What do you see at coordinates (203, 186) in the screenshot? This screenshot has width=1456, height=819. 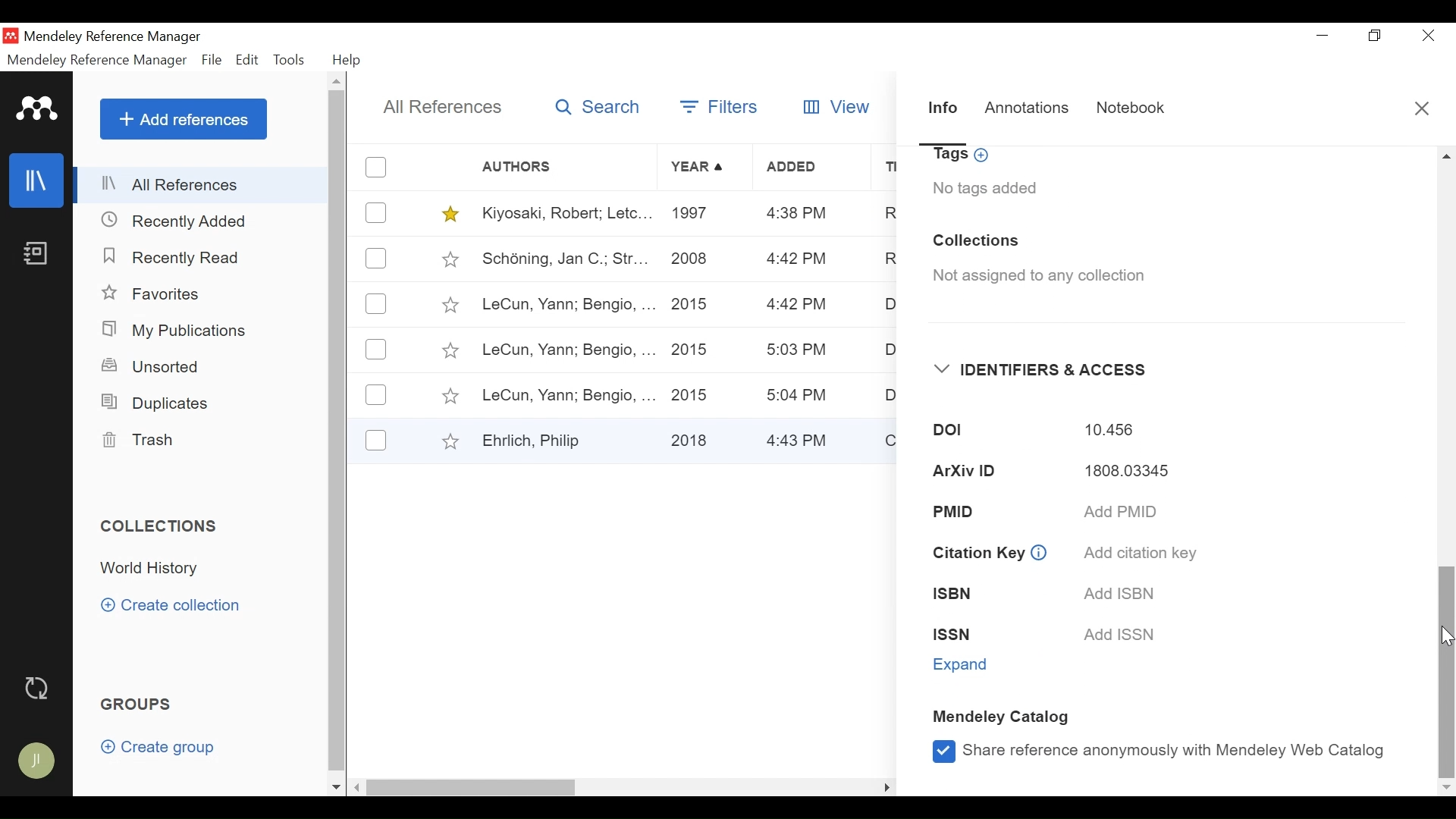 I see `All References` at bounding box center [203, 186].